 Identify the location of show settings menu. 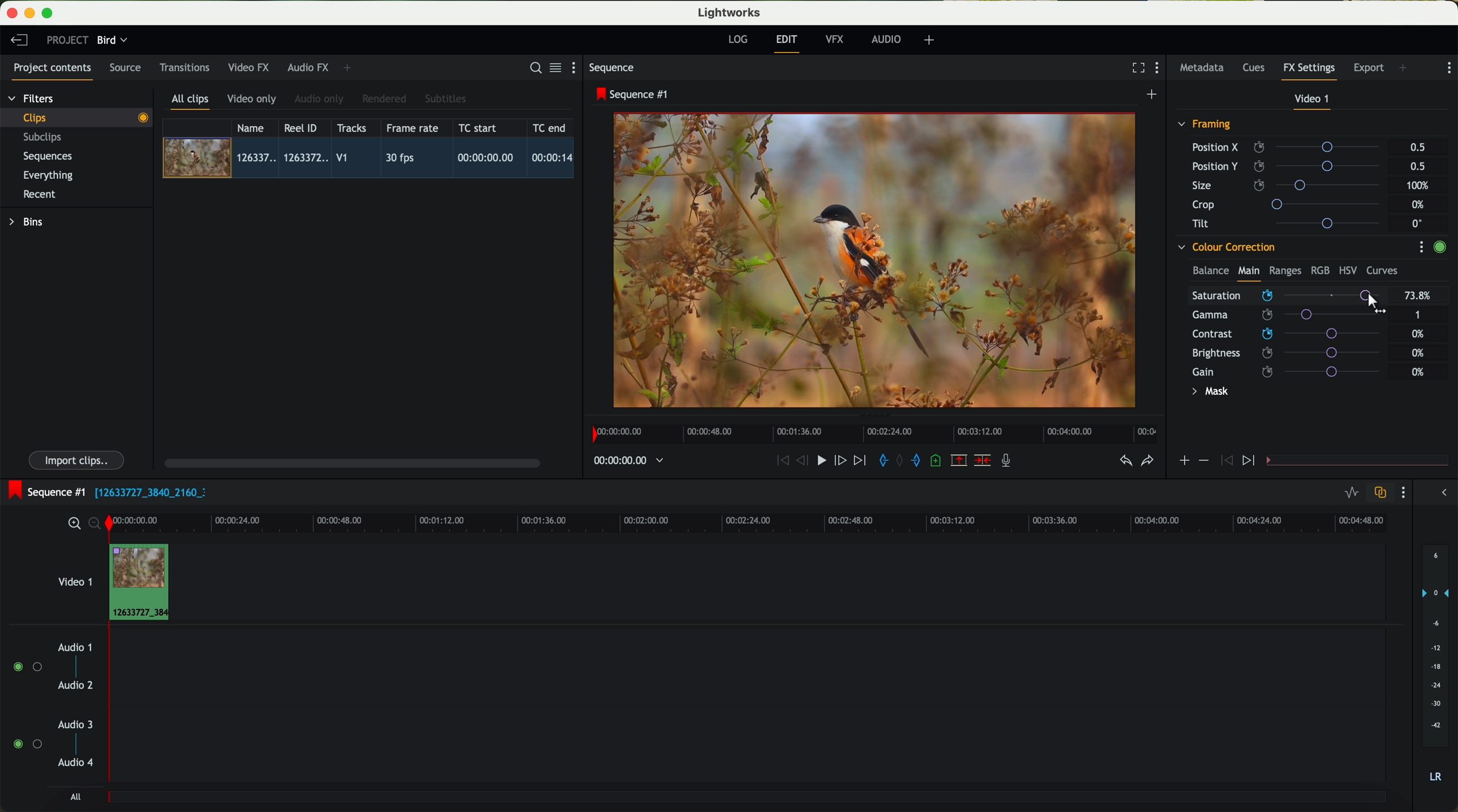
(1421, 247).